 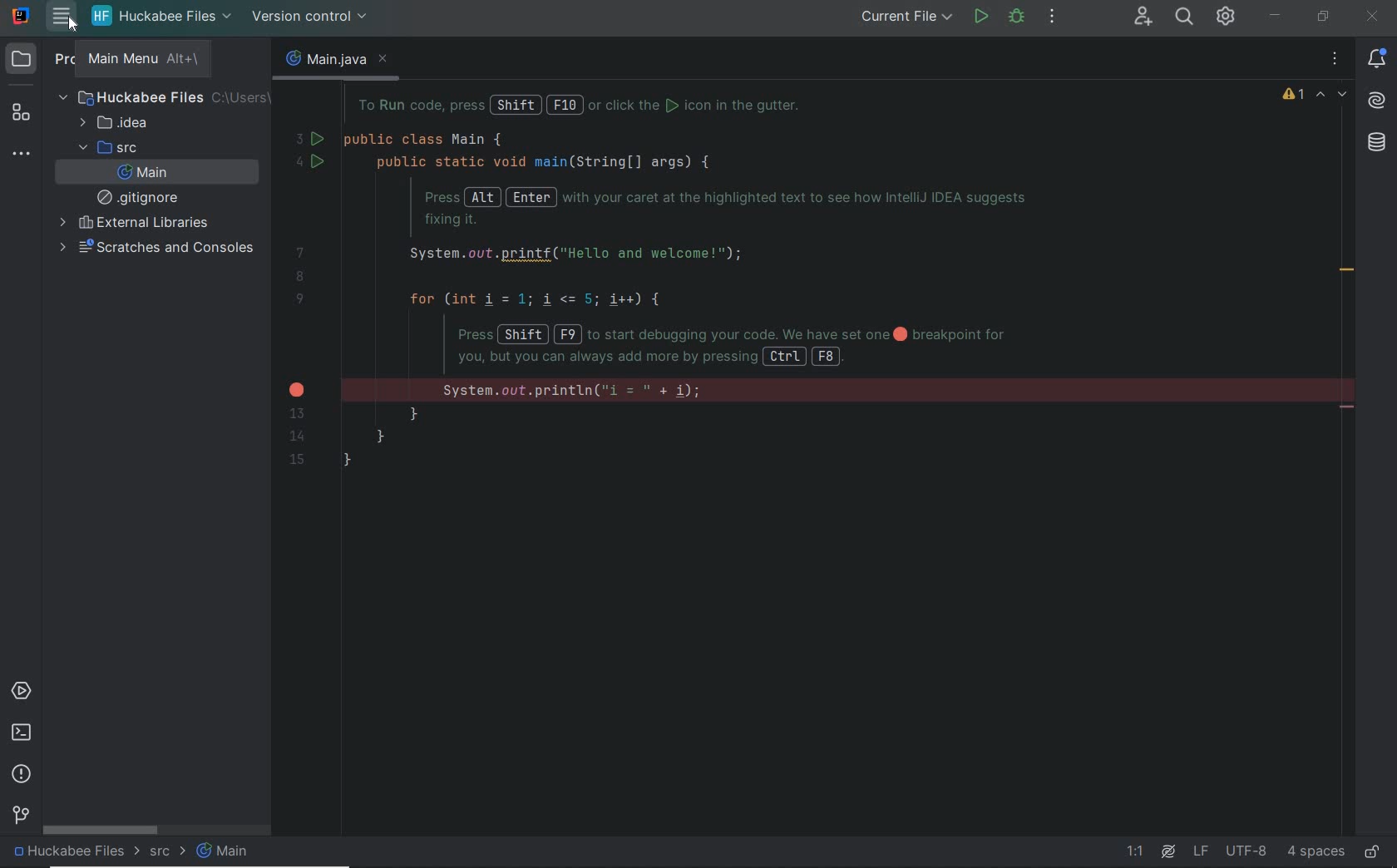 What do you see at coordinates (54, 17) in the screenshot?
I see `main menu` at bounding box center [54, 17].